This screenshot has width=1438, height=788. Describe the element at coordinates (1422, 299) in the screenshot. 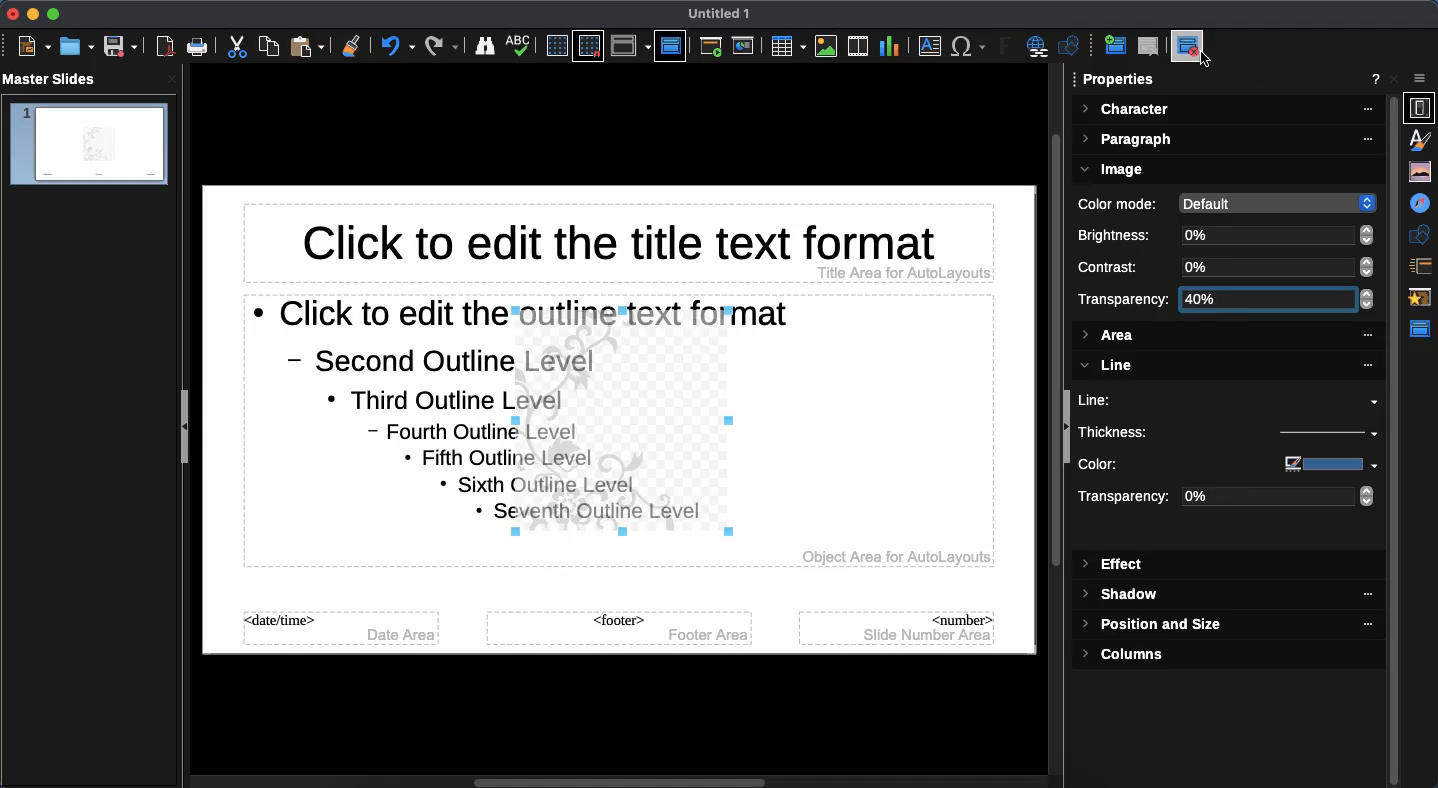

I see `Animation` at that location.